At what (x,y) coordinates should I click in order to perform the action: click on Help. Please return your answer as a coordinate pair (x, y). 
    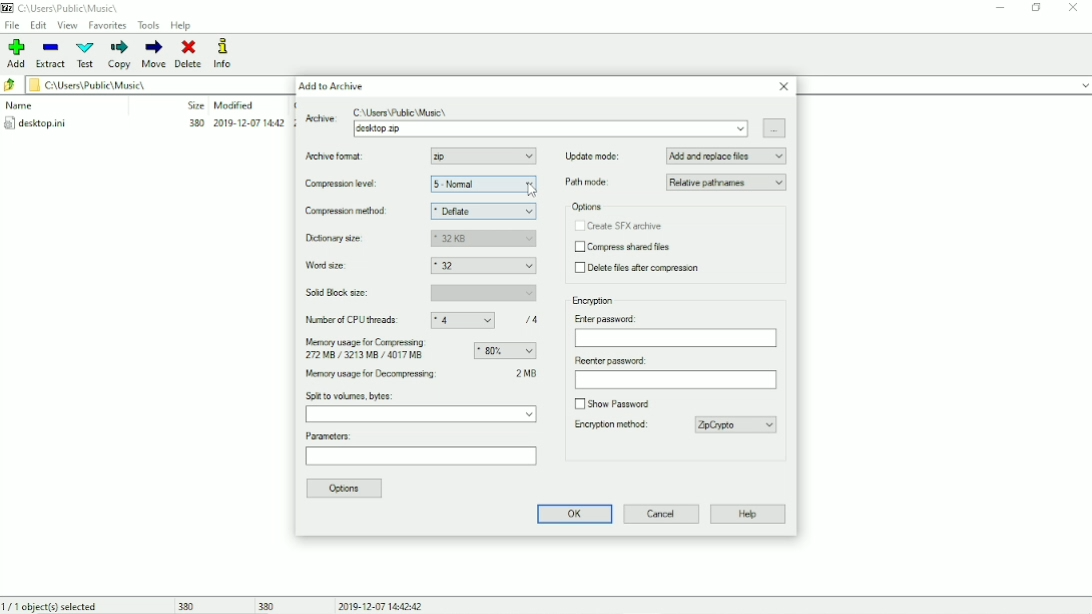
    Looking at the image, I should click on (749, 515).